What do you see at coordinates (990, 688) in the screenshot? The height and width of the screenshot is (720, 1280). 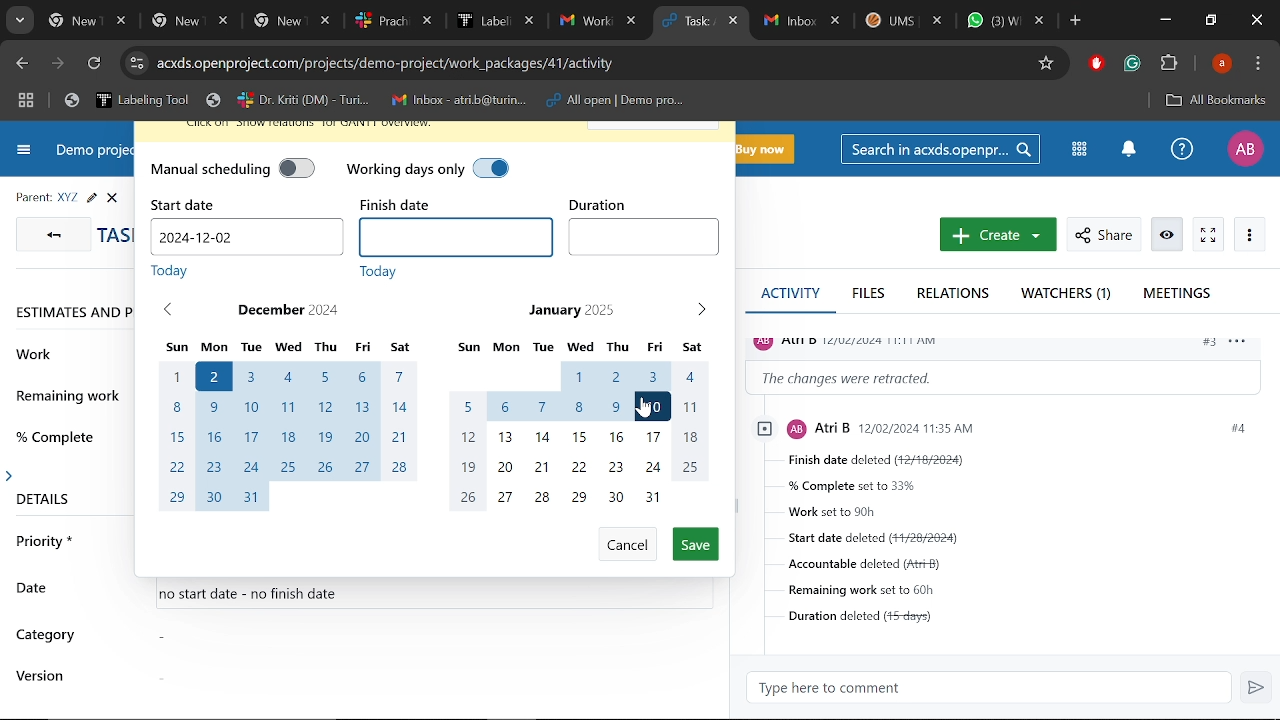 I see `Type here to comment` at bounding box center [990, 688].